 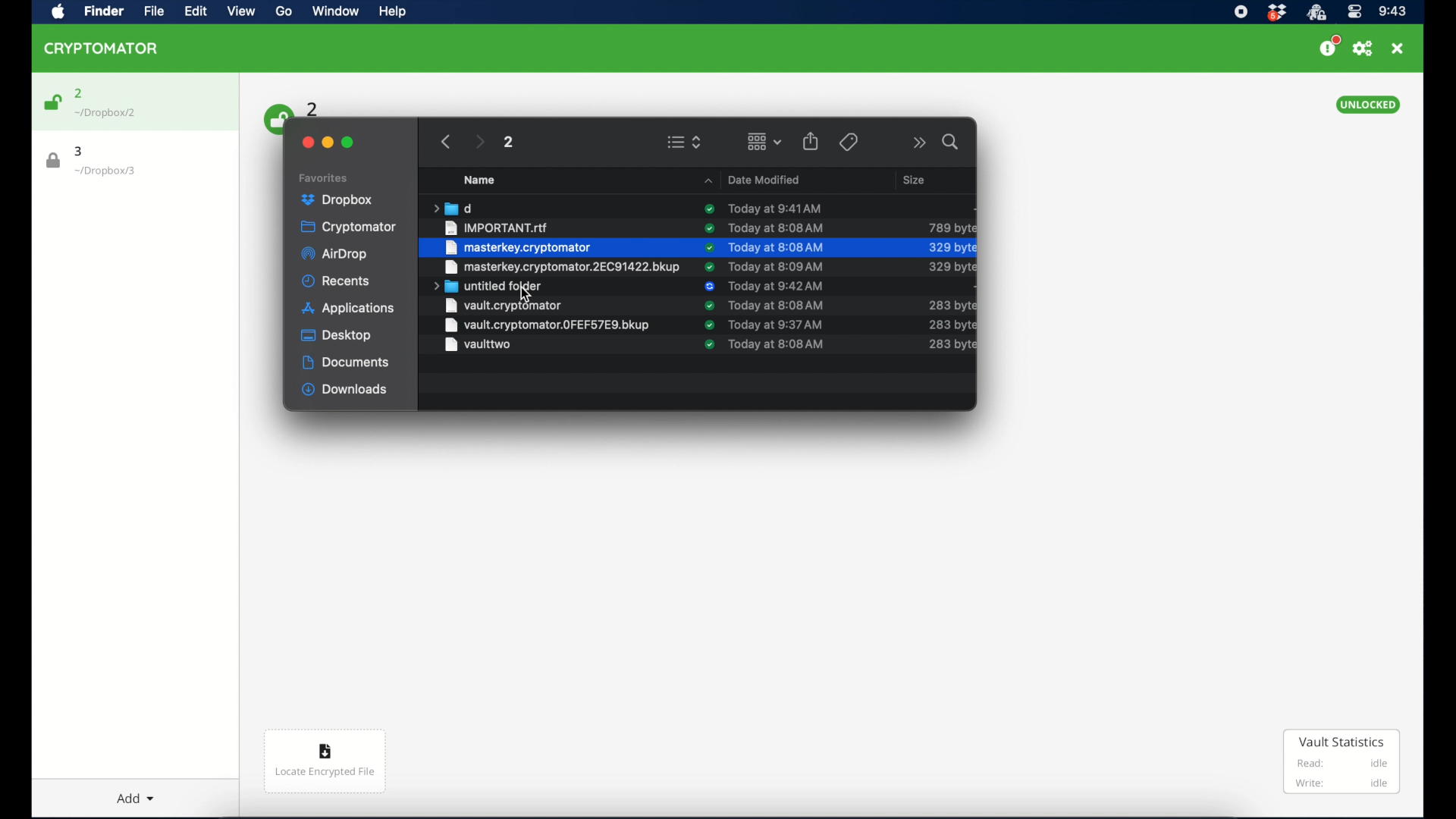 I want to click on untitled folder, so click(x=488, y=287).